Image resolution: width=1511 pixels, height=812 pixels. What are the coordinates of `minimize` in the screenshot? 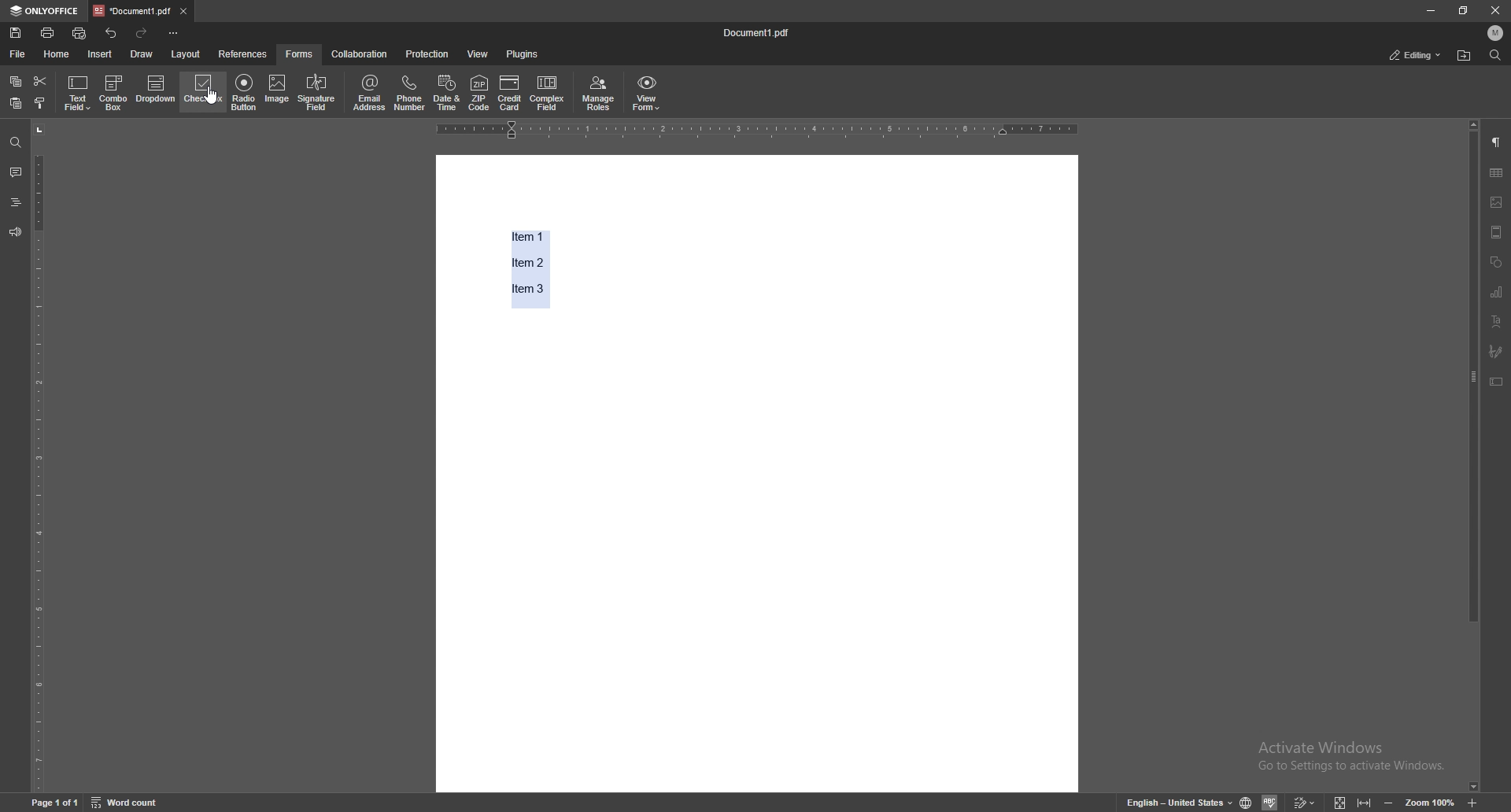 It's located at (1429, 11).